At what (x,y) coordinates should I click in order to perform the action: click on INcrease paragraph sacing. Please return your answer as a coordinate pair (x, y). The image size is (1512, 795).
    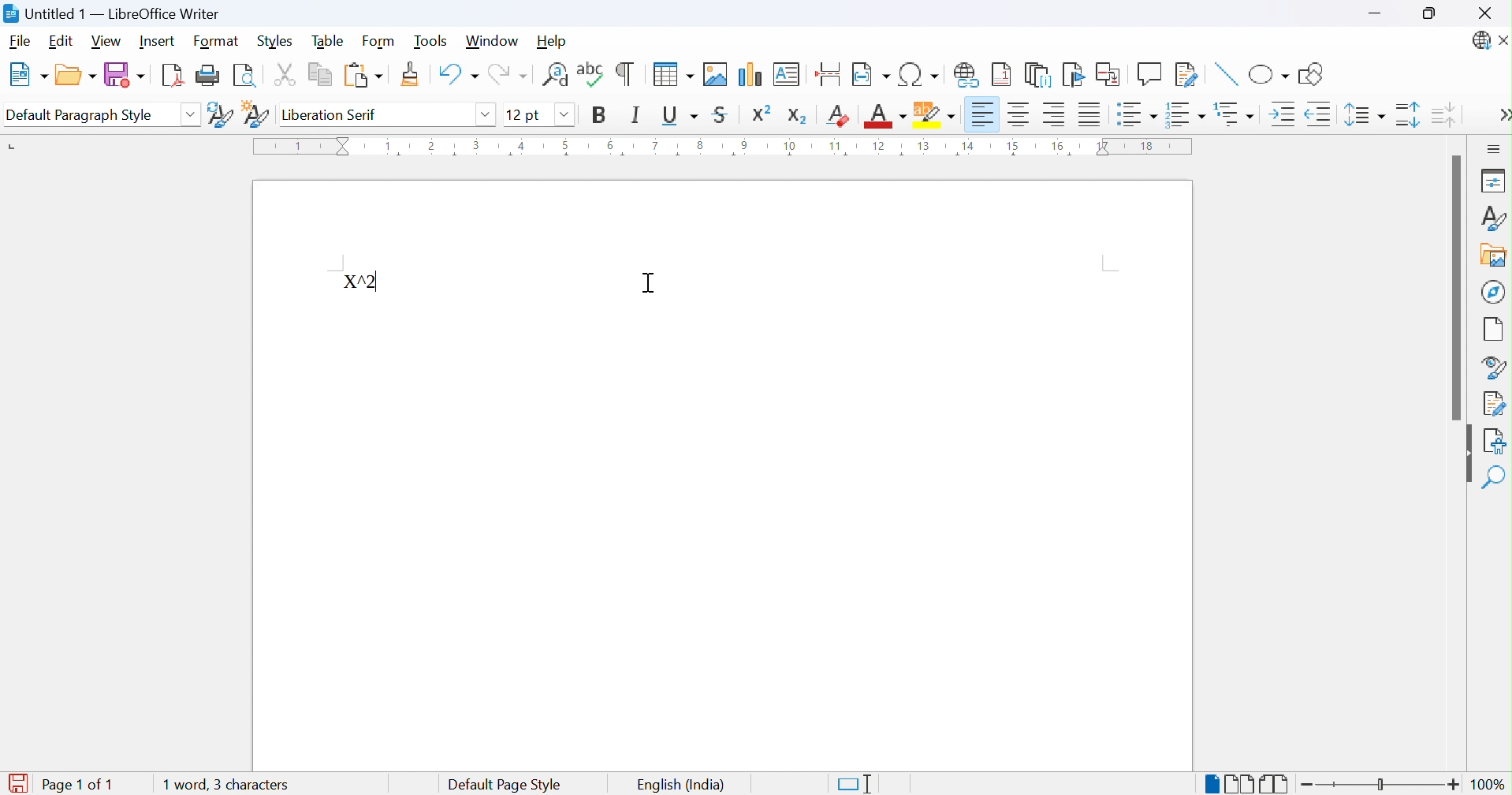
    Looking at the image, I should click on (1408, 114).